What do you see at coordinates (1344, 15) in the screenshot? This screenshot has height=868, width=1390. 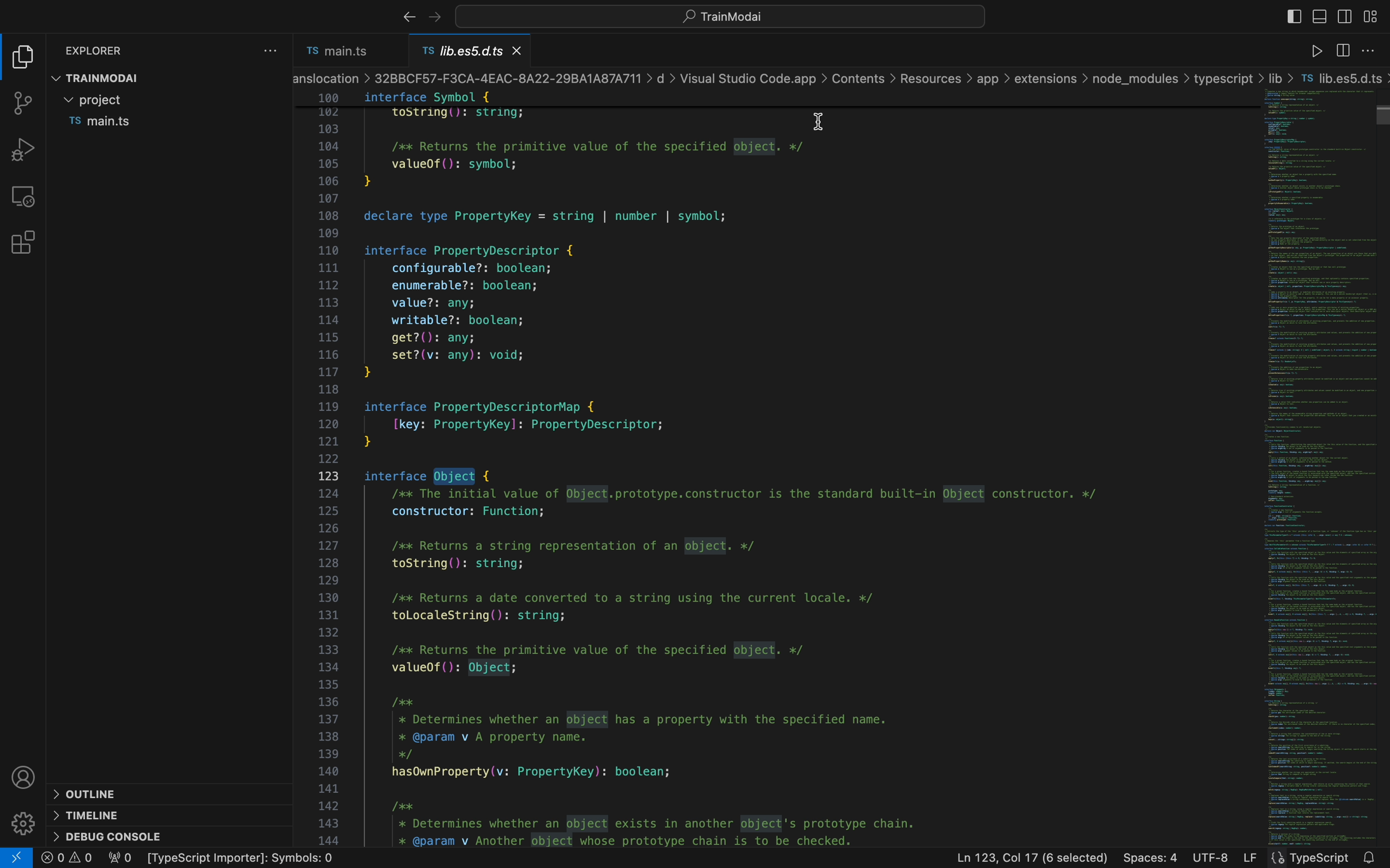 I see `toggle secondary bar` at bounding box center [1344, 15].